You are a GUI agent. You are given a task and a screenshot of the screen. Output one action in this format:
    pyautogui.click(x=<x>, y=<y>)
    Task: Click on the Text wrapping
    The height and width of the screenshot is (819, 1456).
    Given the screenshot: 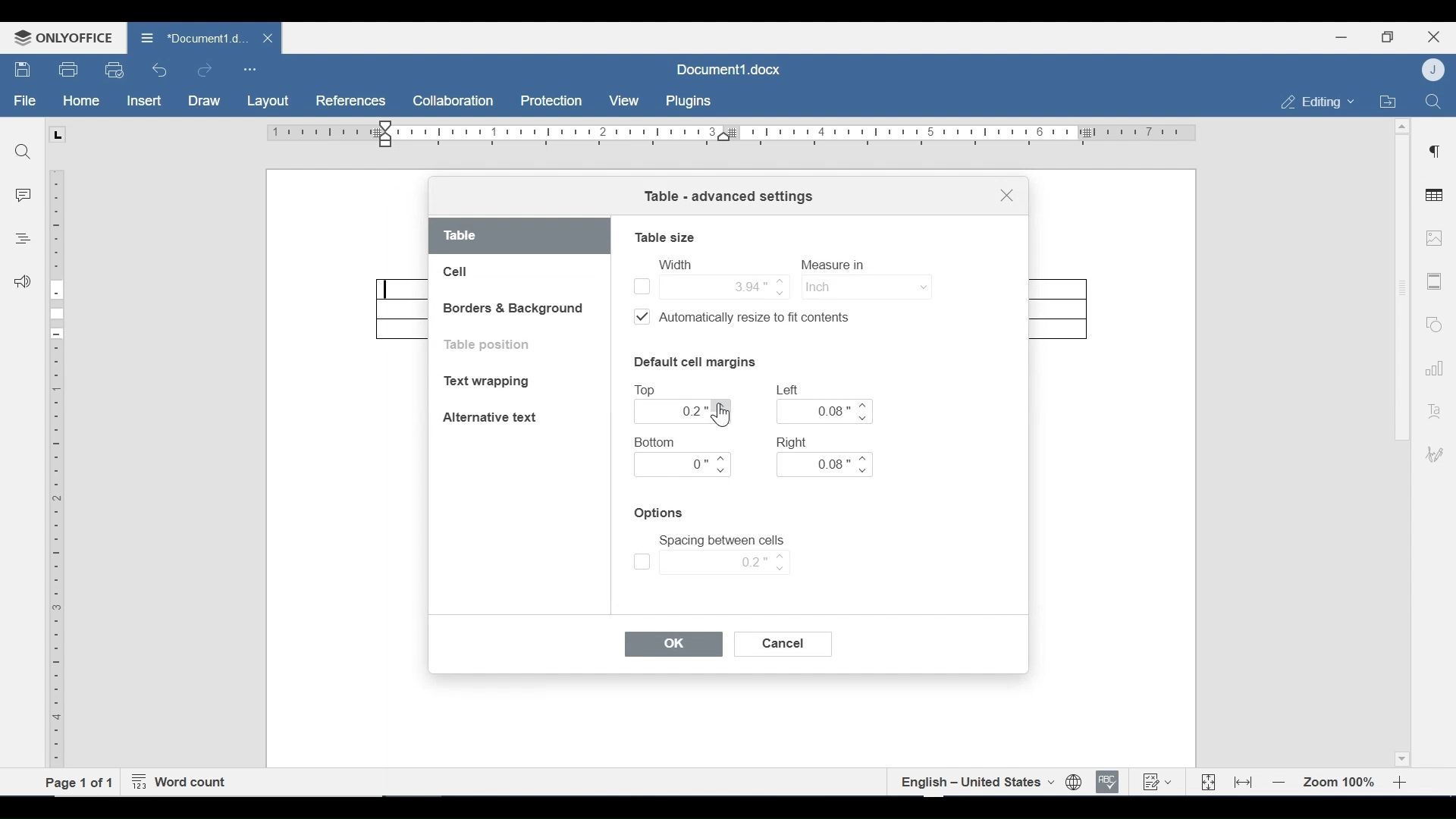 What is the action you would take?
    pyautogui.click(x=490, y=383)
    